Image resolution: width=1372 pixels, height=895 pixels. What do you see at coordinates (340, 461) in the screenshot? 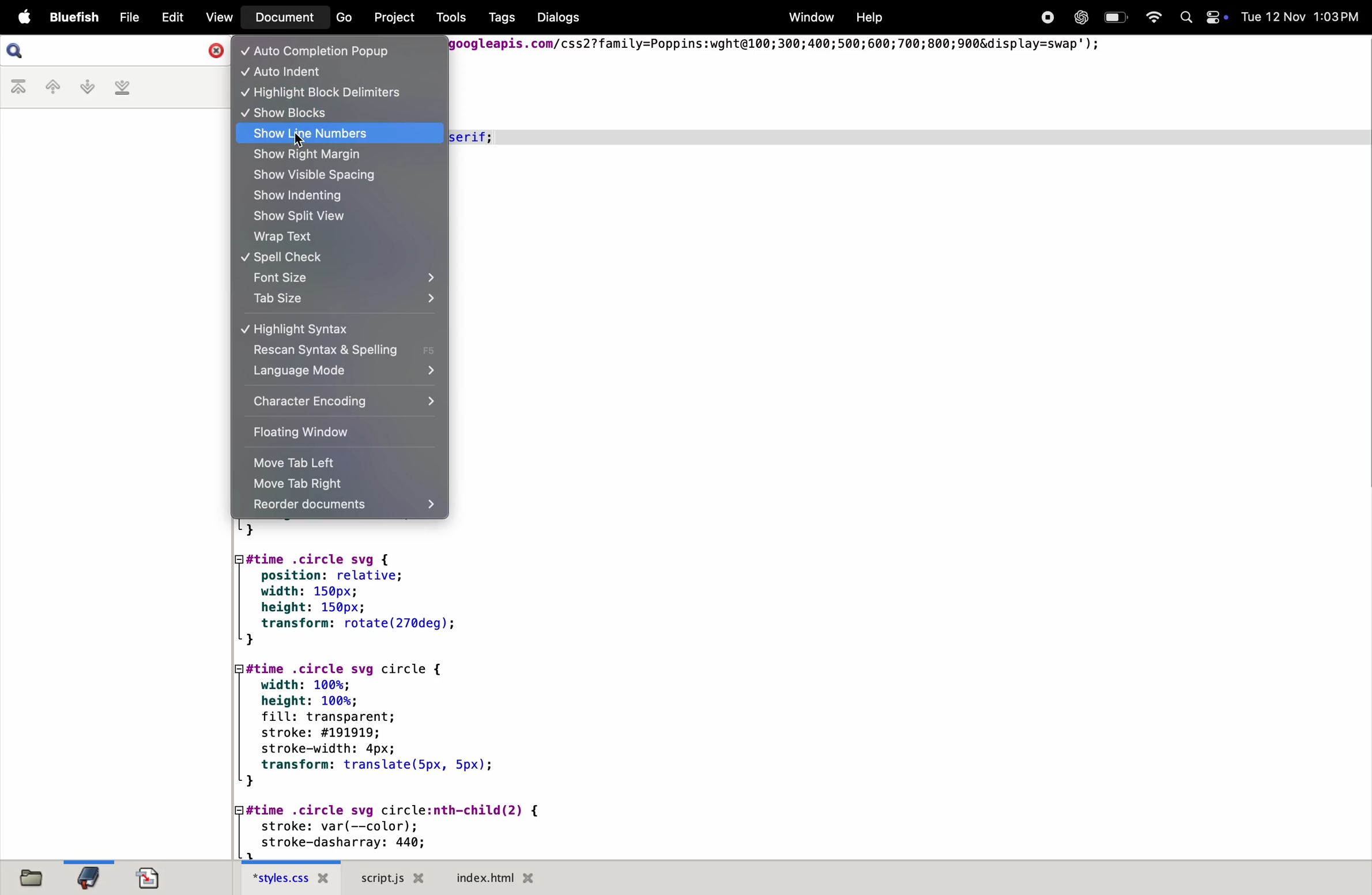
I see `move tab left` at bounding box center [340, 461].